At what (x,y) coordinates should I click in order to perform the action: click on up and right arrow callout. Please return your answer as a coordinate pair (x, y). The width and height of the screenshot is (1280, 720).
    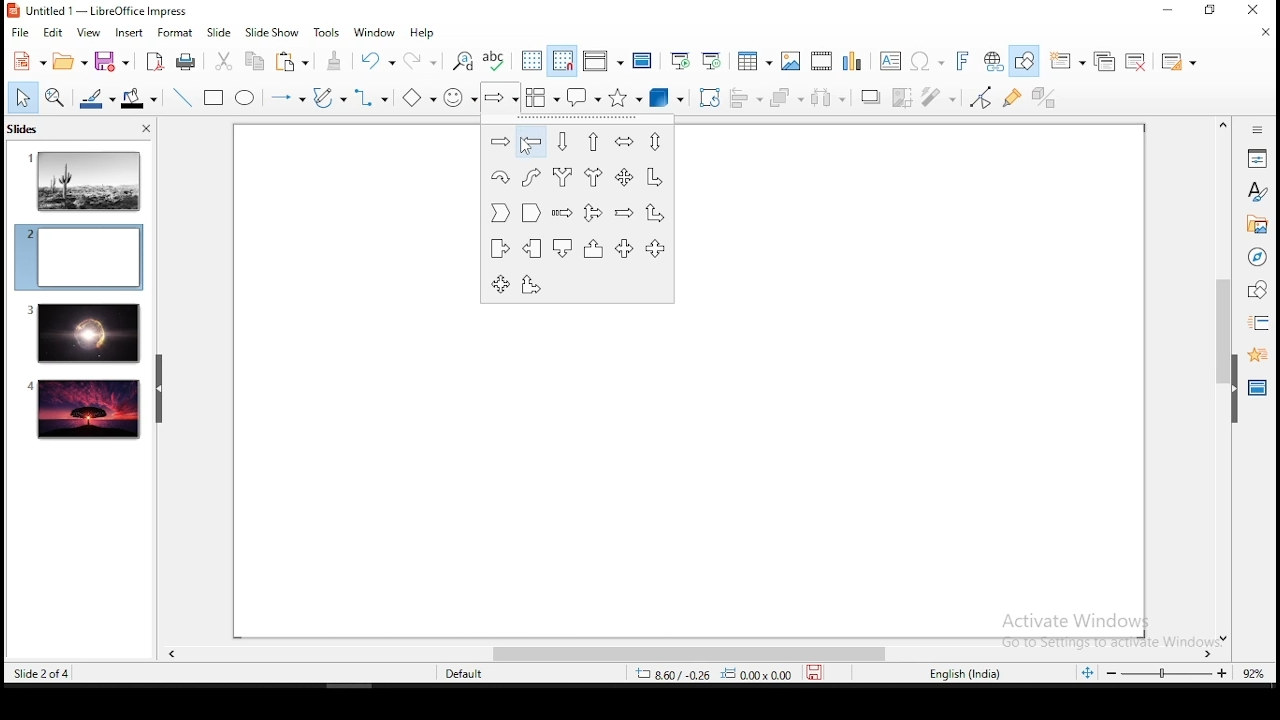
    Looking at the image, I should click on (531, 285).